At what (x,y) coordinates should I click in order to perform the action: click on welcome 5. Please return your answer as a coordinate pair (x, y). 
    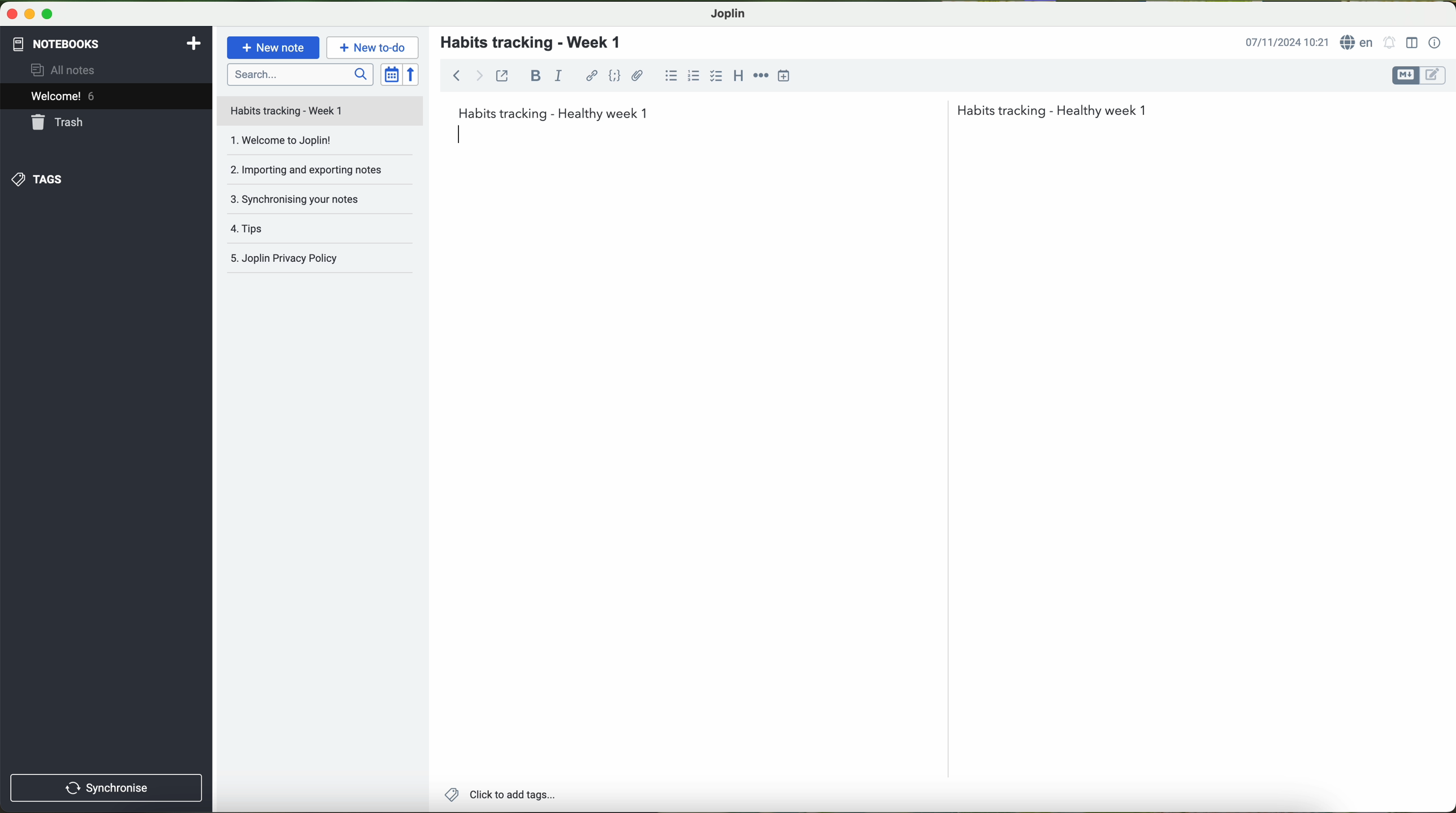
    Looking at the image, I should click on (63, 96).